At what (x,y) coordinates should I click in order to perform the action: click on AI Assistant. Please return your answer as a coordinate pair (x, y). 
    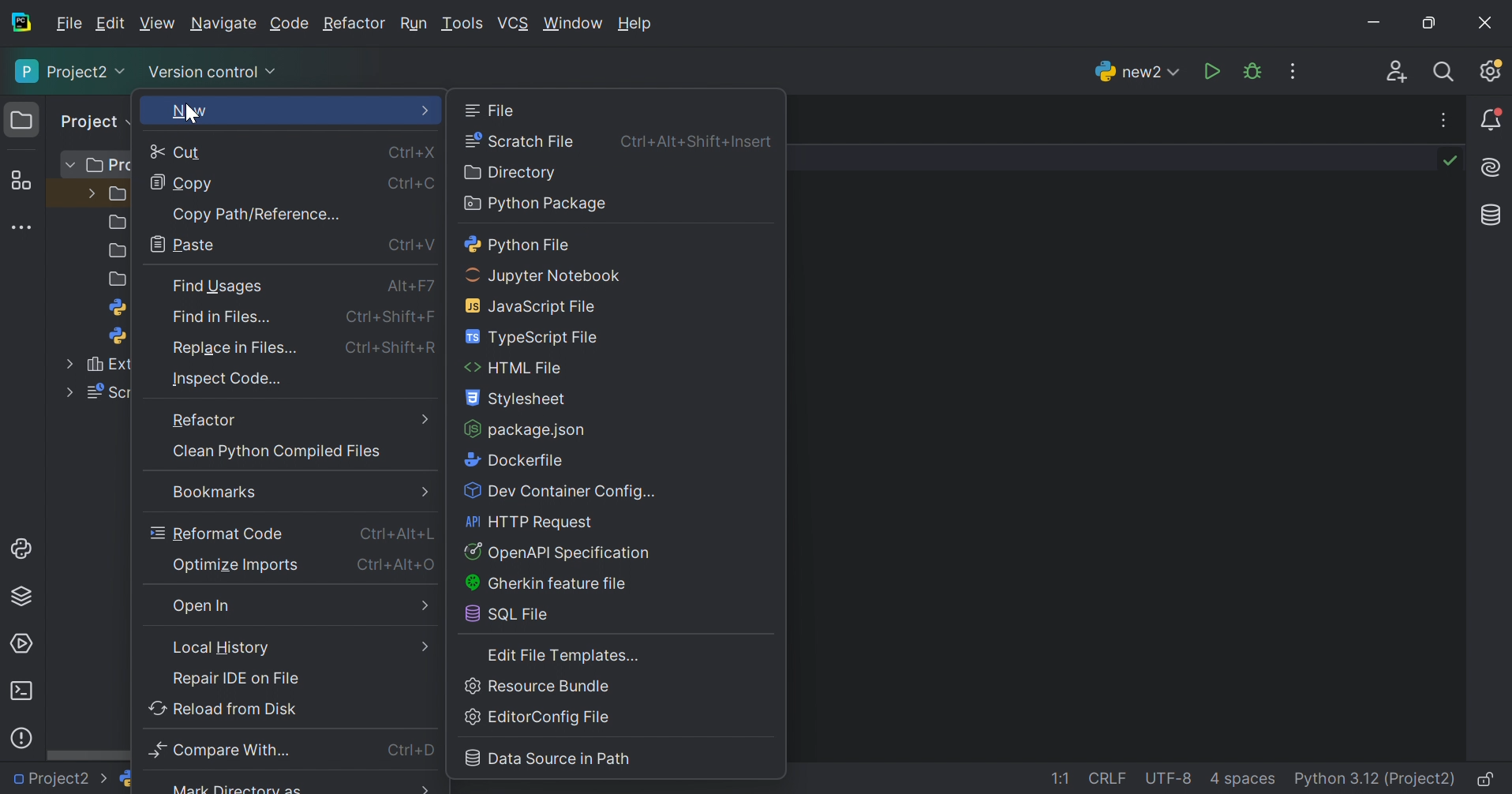
    Looking at the image, I should click on (1493, 169).